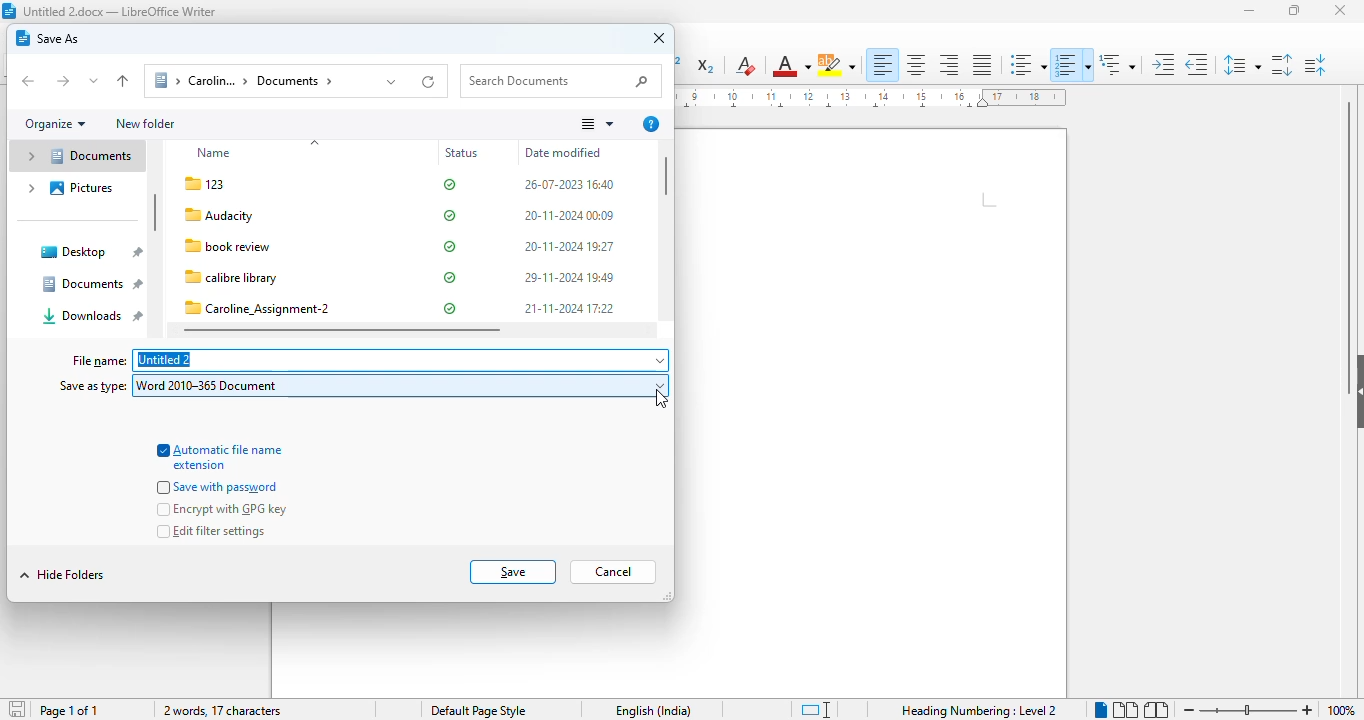 This screenshot has height=720, width=1364. Describe the element at coordinates (745, 66) in the screenshot. I see `clear direct formatting` at that location.